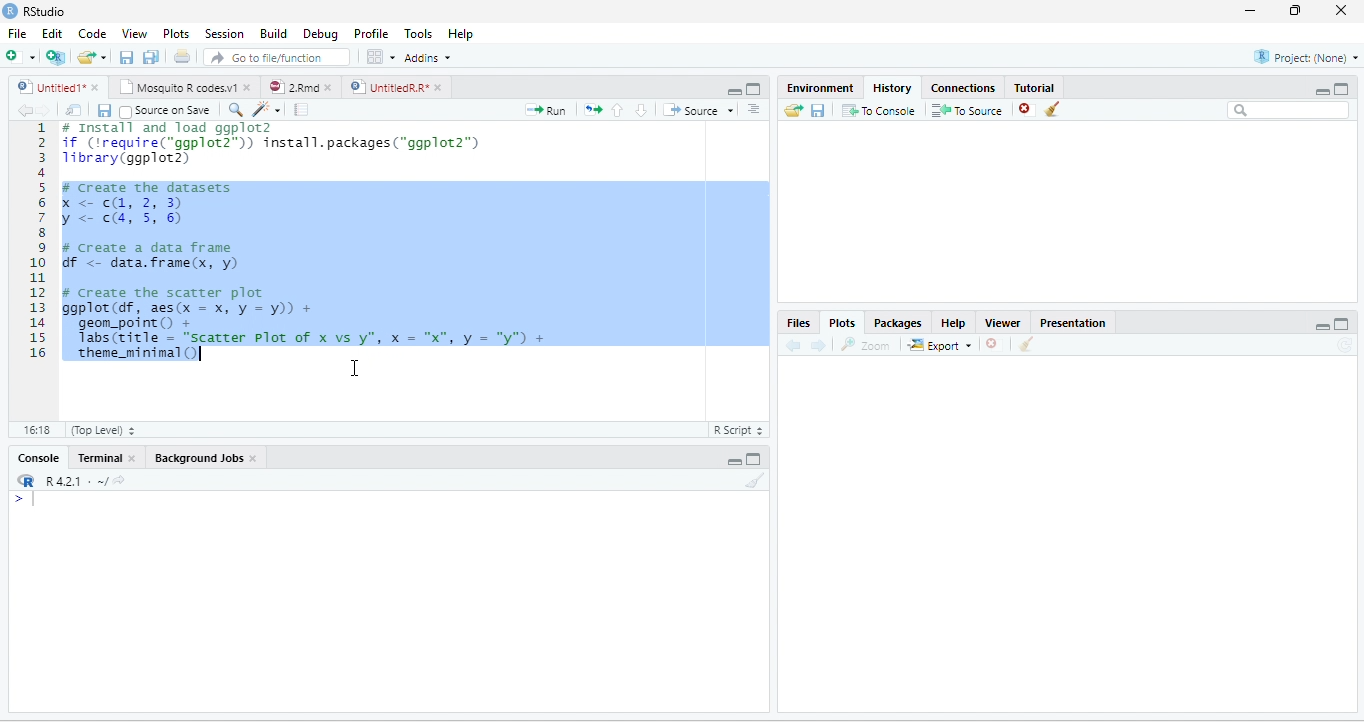  Describe the element at coordinates (733, 461) in the screenshot. I see `Minimize` at that location.